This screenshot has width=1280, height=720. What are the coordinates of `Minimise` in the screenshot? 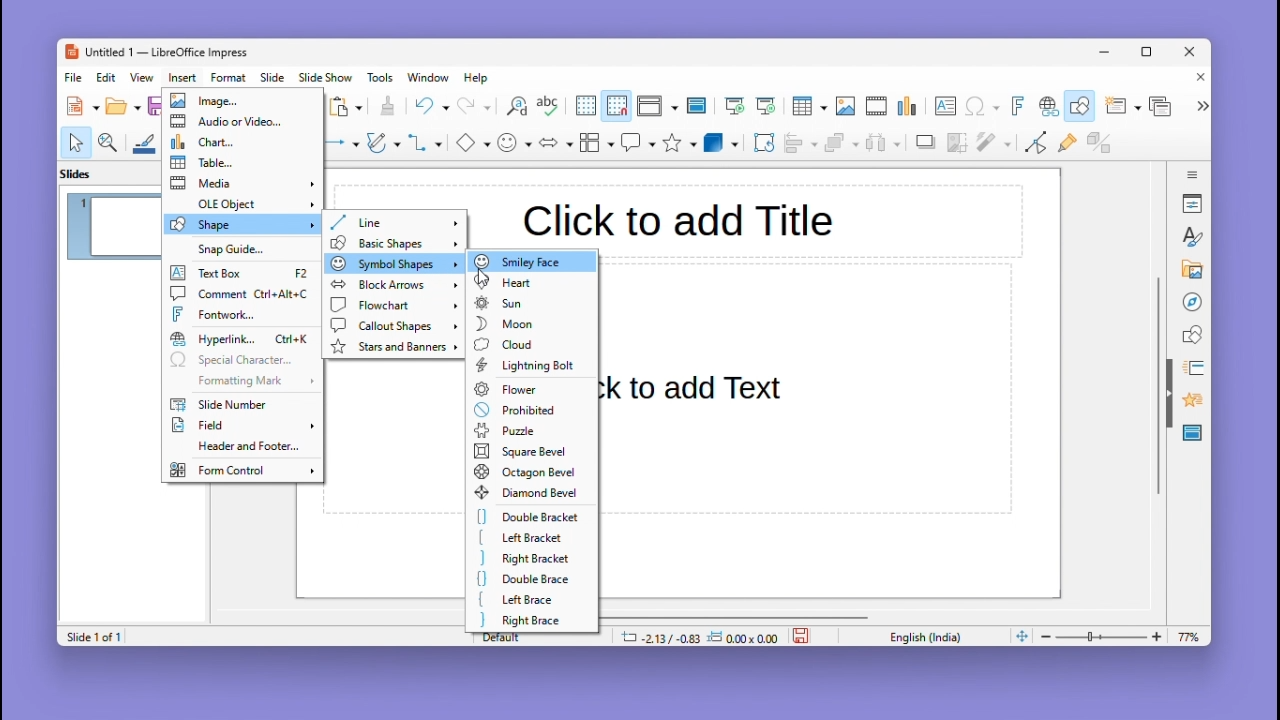 It's located at (1107, 51).